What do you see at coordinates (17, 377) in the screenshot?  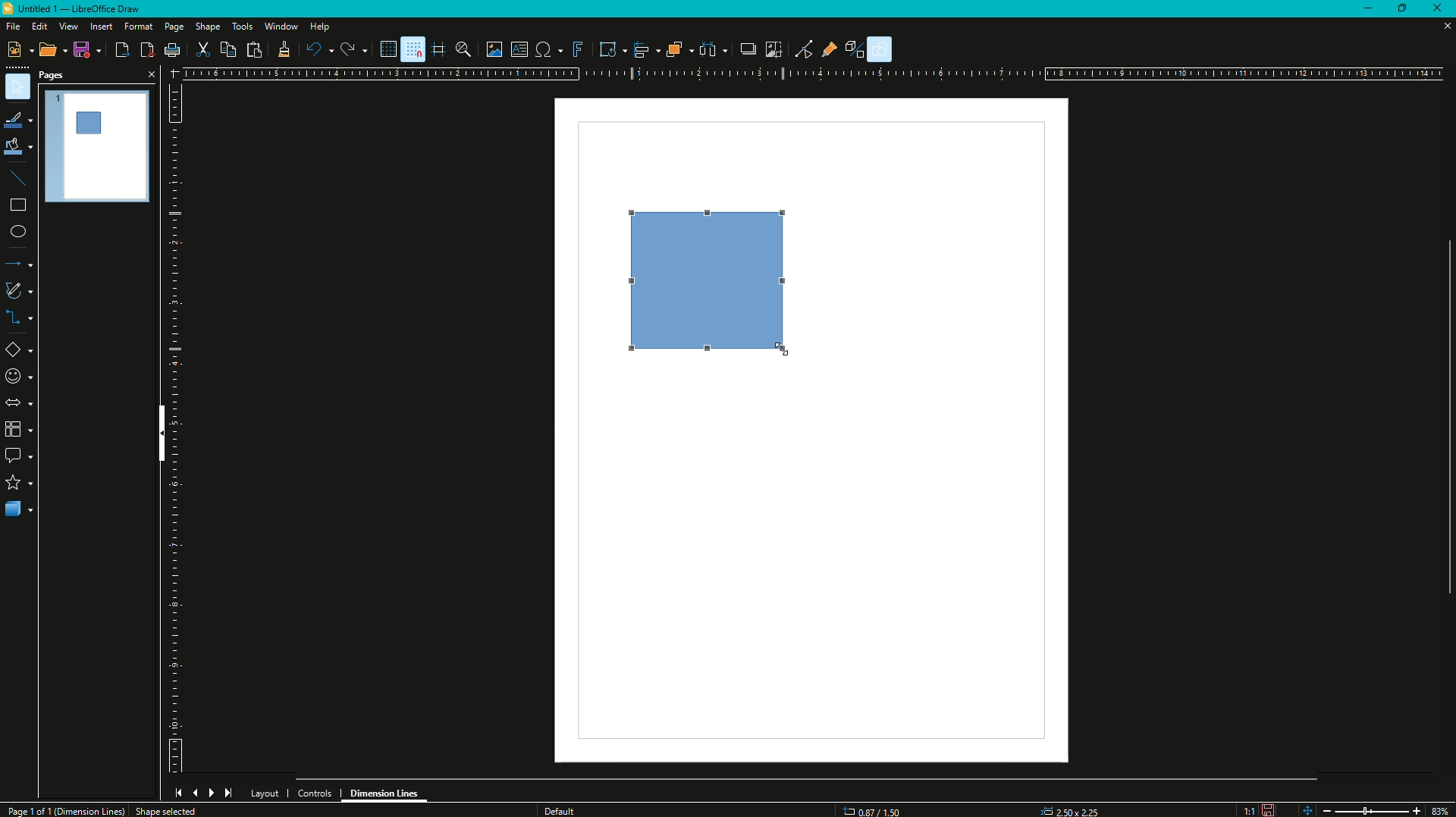 I see `Insert Characters` at bounding box center [17, 377].